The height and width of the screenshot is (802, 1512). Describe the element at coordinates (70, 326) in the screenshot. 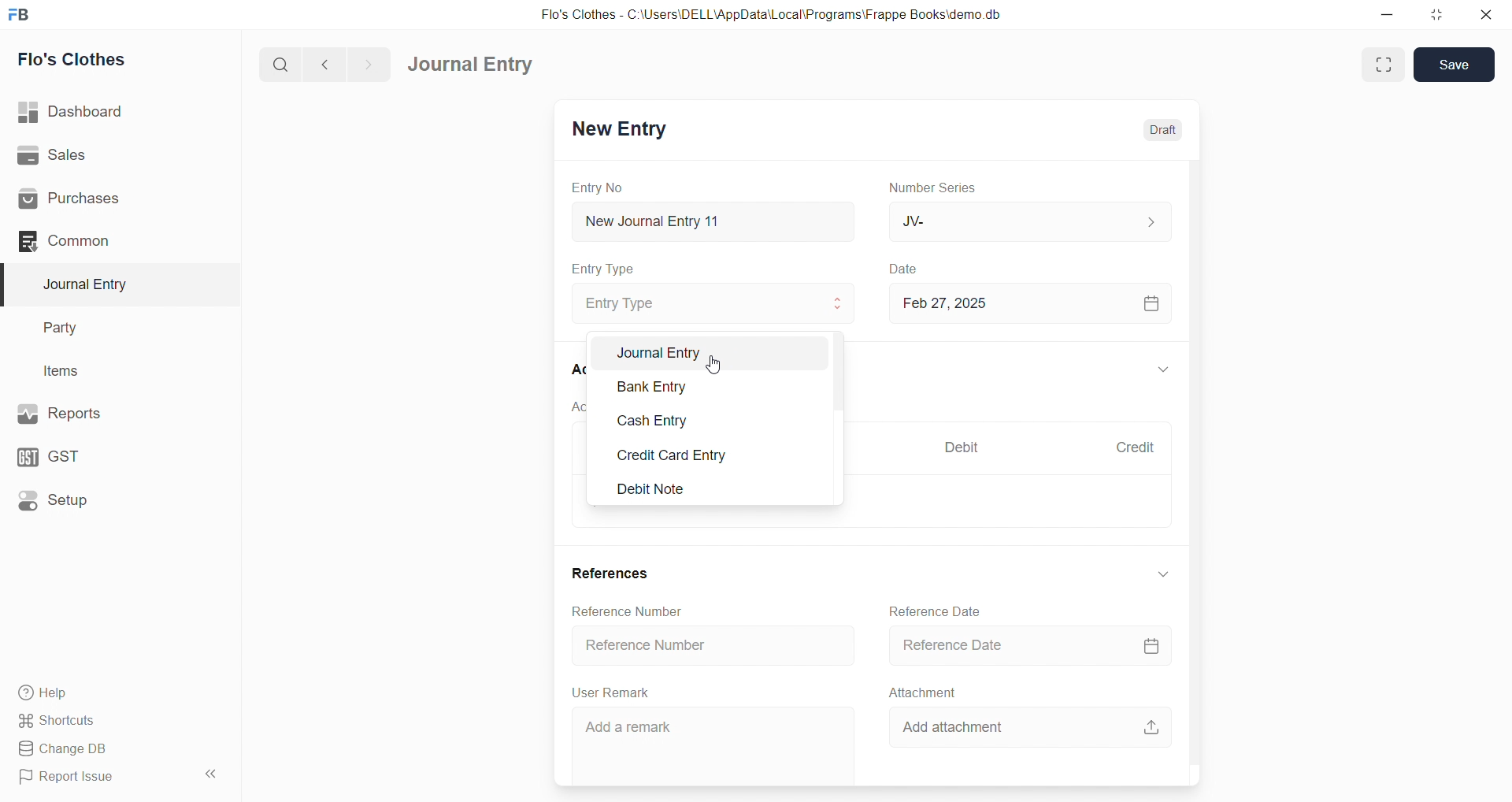

I see `Party` at that location.